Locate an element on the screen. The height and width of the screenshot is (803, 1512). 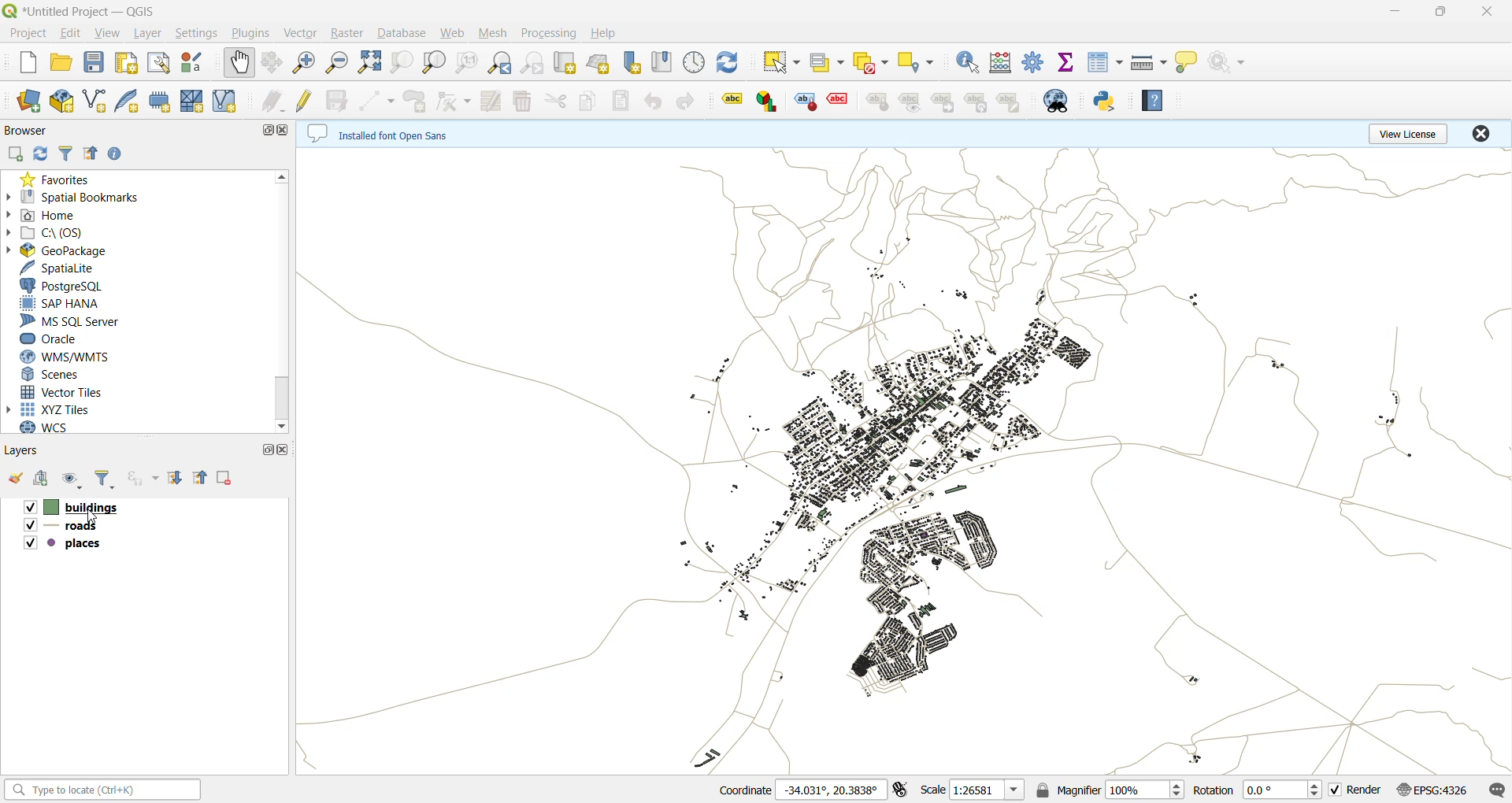
new spatial bookmark is located at coordinates (634, 61).